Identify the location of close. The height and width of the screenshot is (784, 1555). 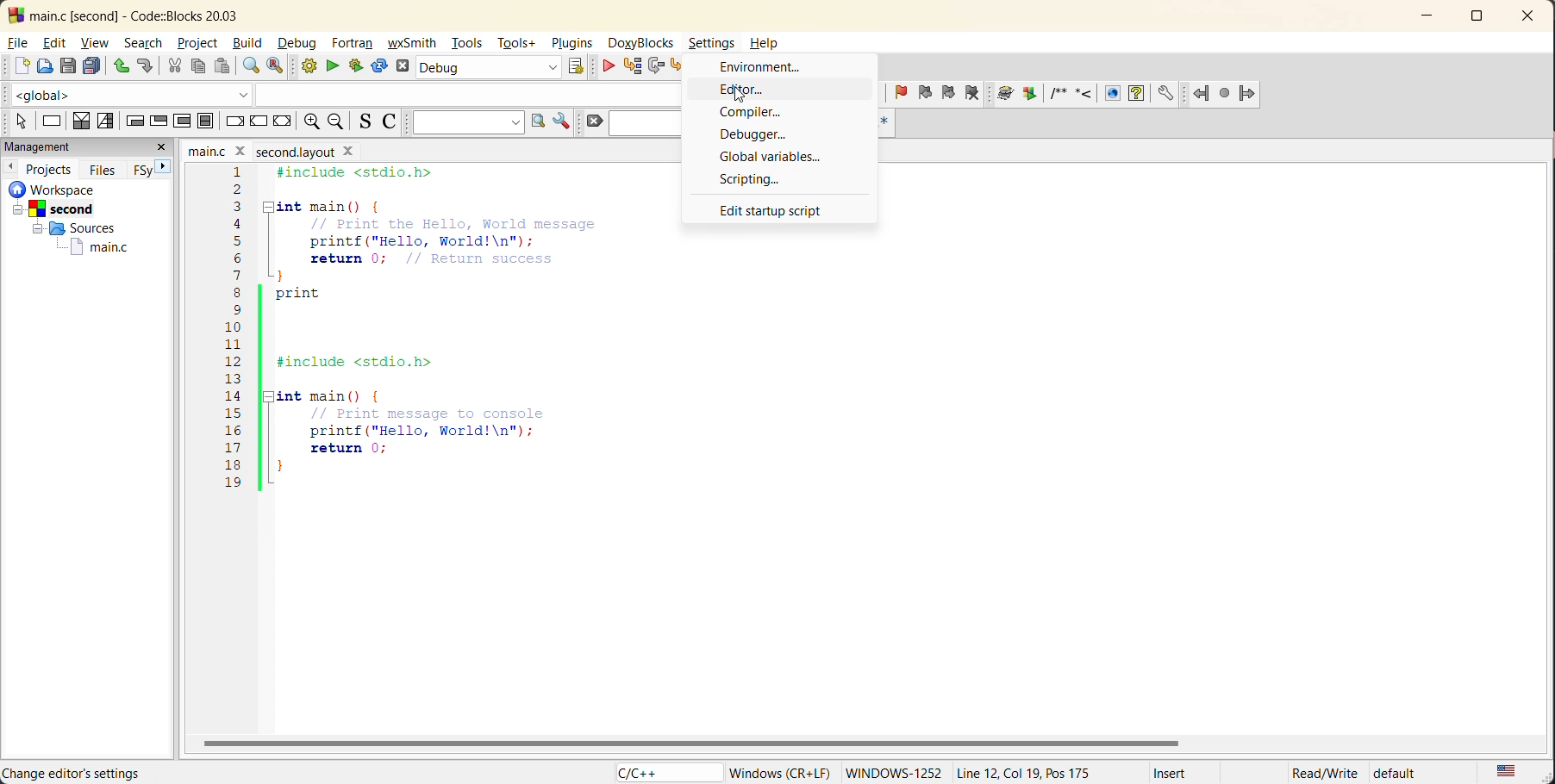
(161, 149).